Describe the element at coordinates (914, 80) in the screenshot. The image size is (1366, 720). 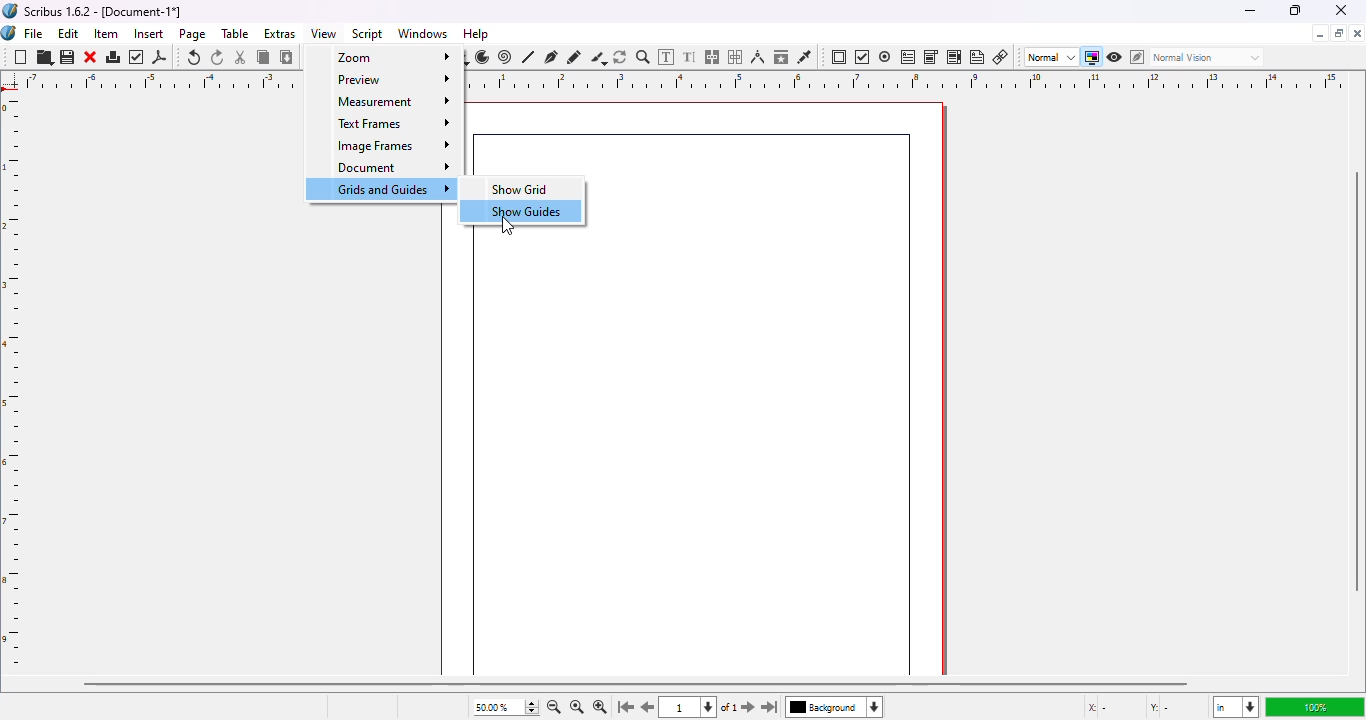
I see `ruler` at that location.